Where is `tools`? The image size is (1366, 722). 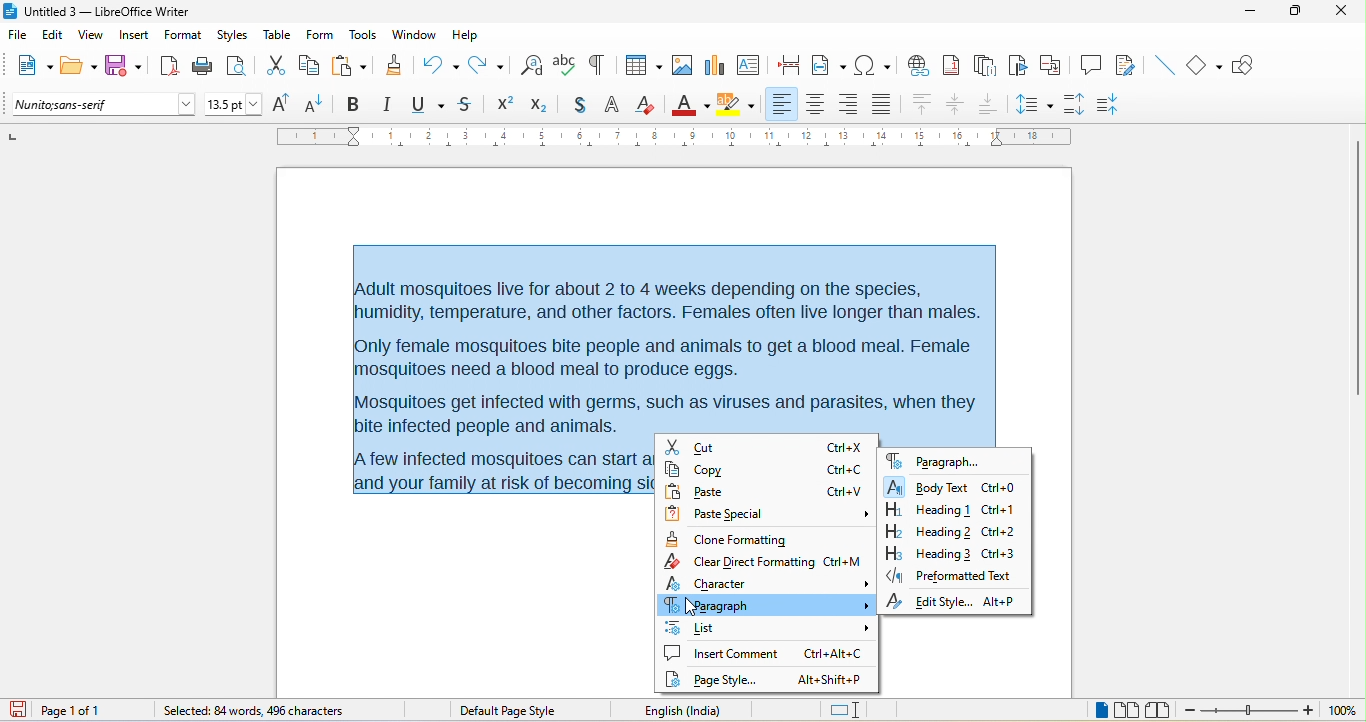
tools is located at coordinates (362, 36).